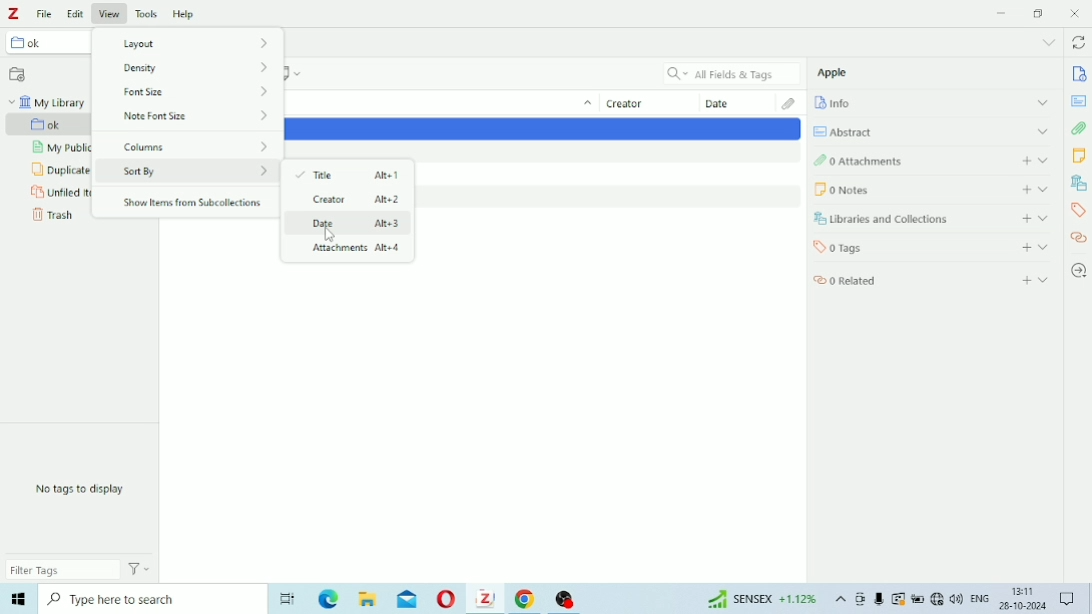 The image size is (1092, 614). I want to click on Related, so click(863, 281).